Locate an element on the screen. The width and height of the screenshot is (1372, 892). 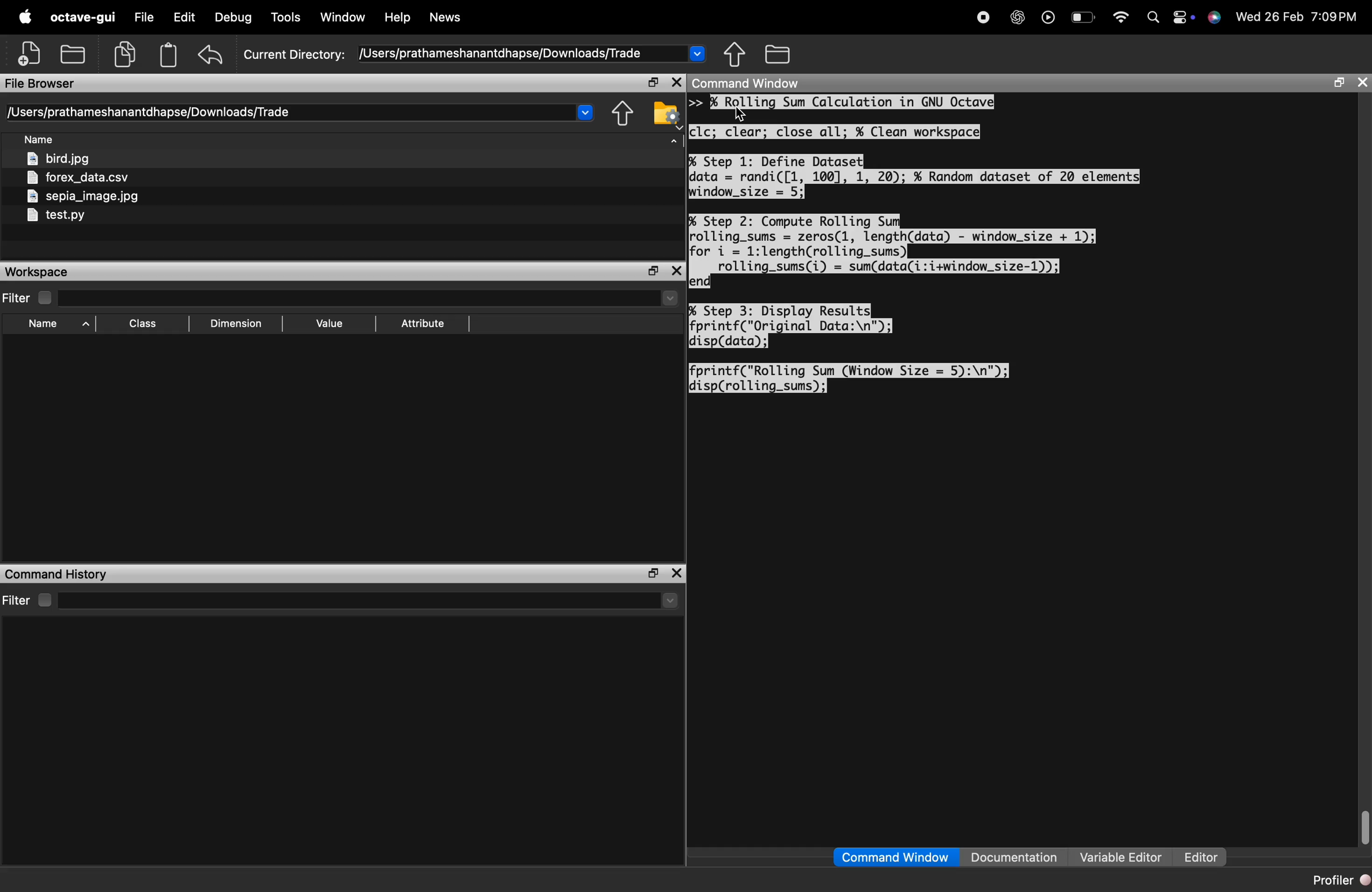
maximize is located at coordinates (1341, 83).